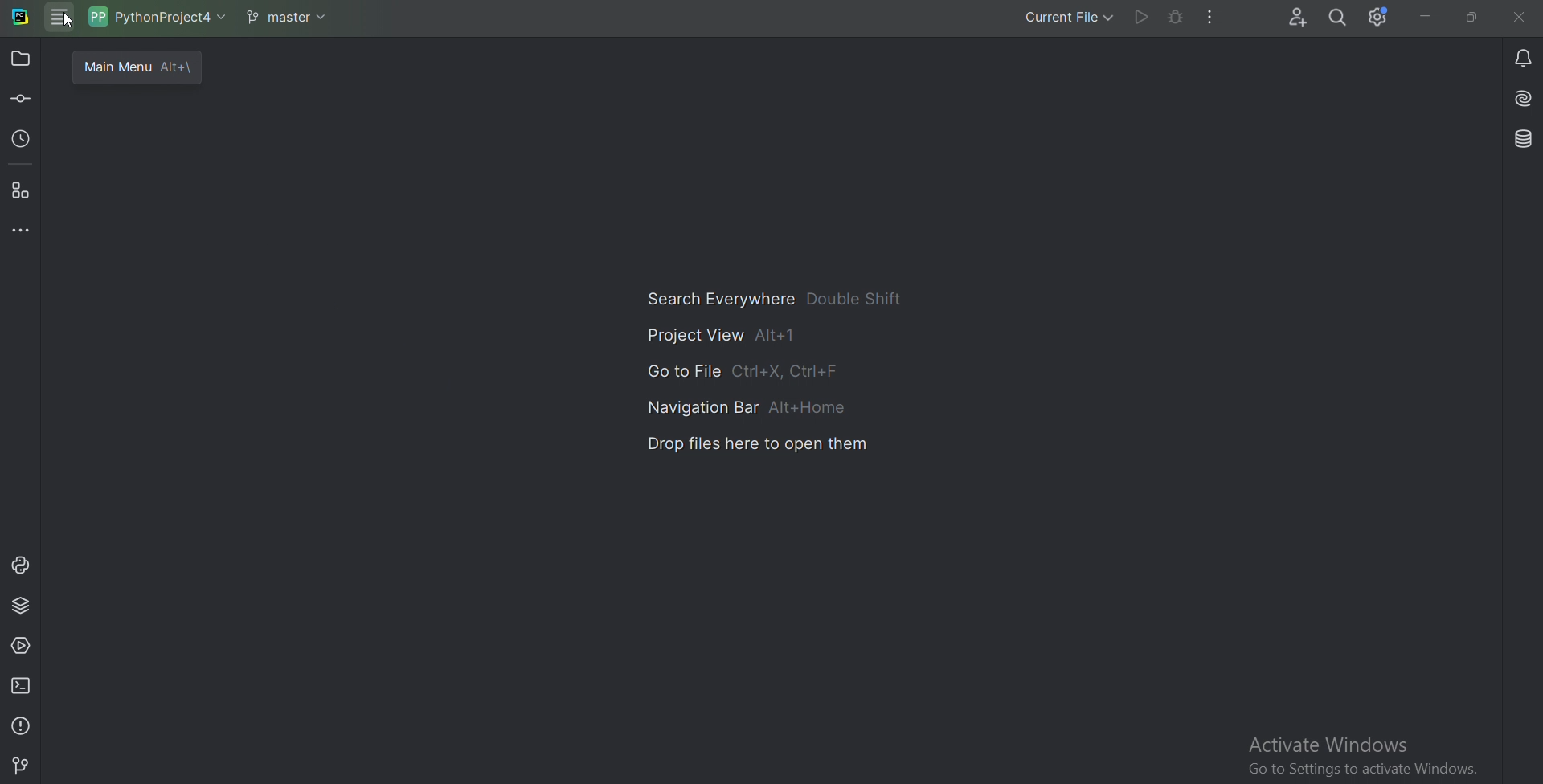  I want to click on Cross, so click(1520, 16).